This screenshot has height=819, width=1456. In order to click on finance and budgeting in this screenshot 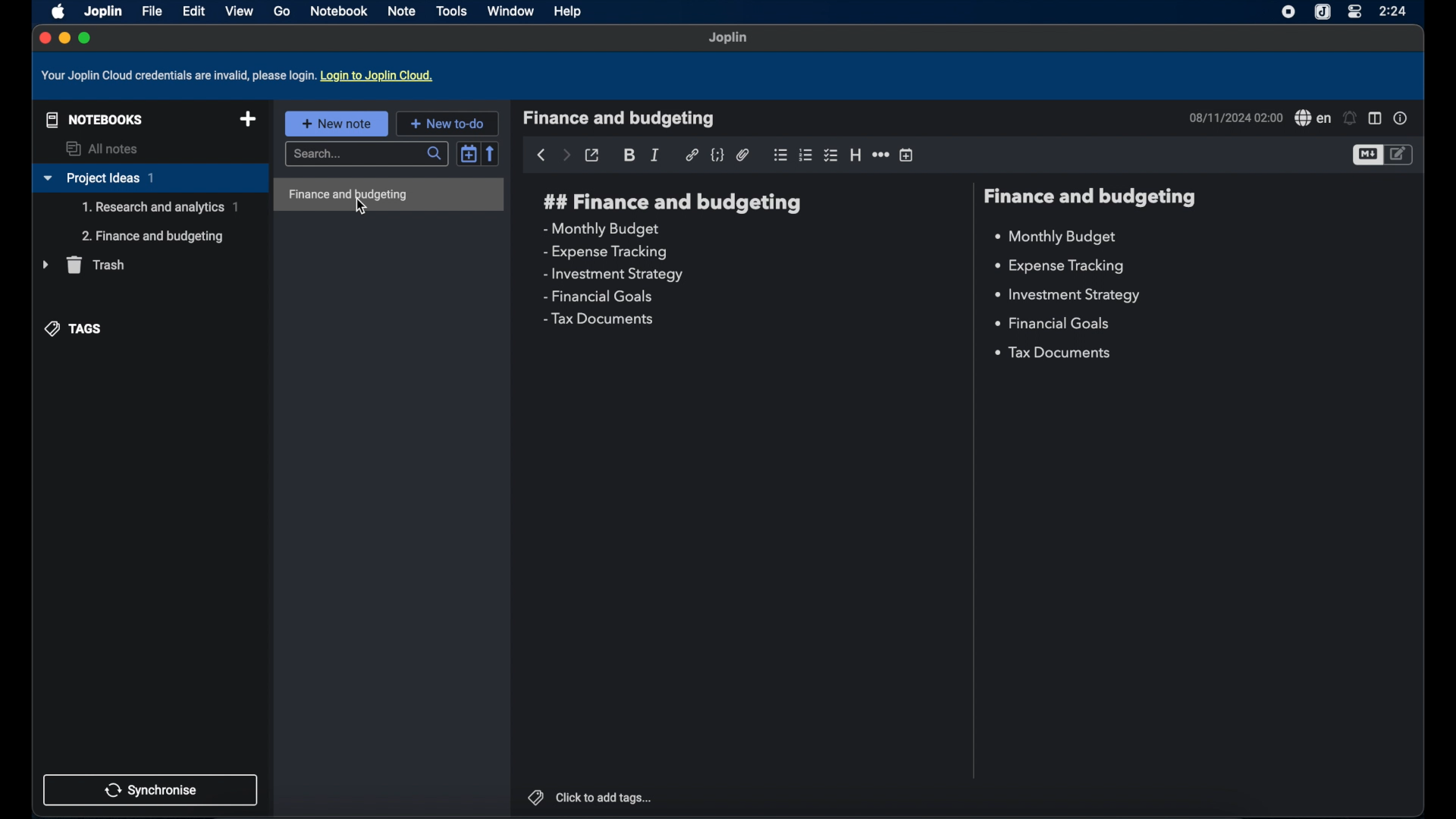, I will do `click(670, 202)`.